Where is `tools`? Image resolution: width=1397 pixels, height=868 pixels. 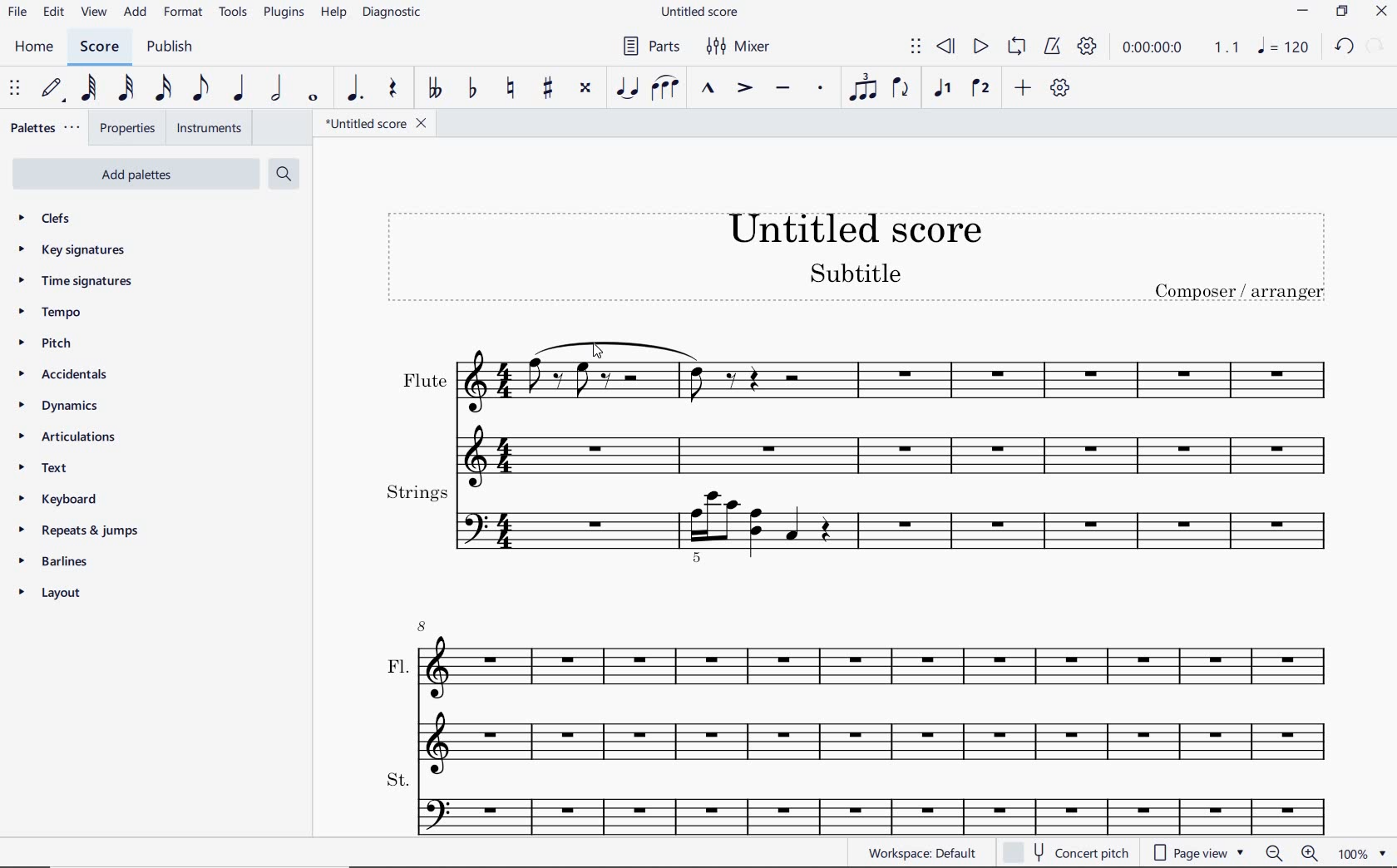 tools is located at coordinates (234, 12).